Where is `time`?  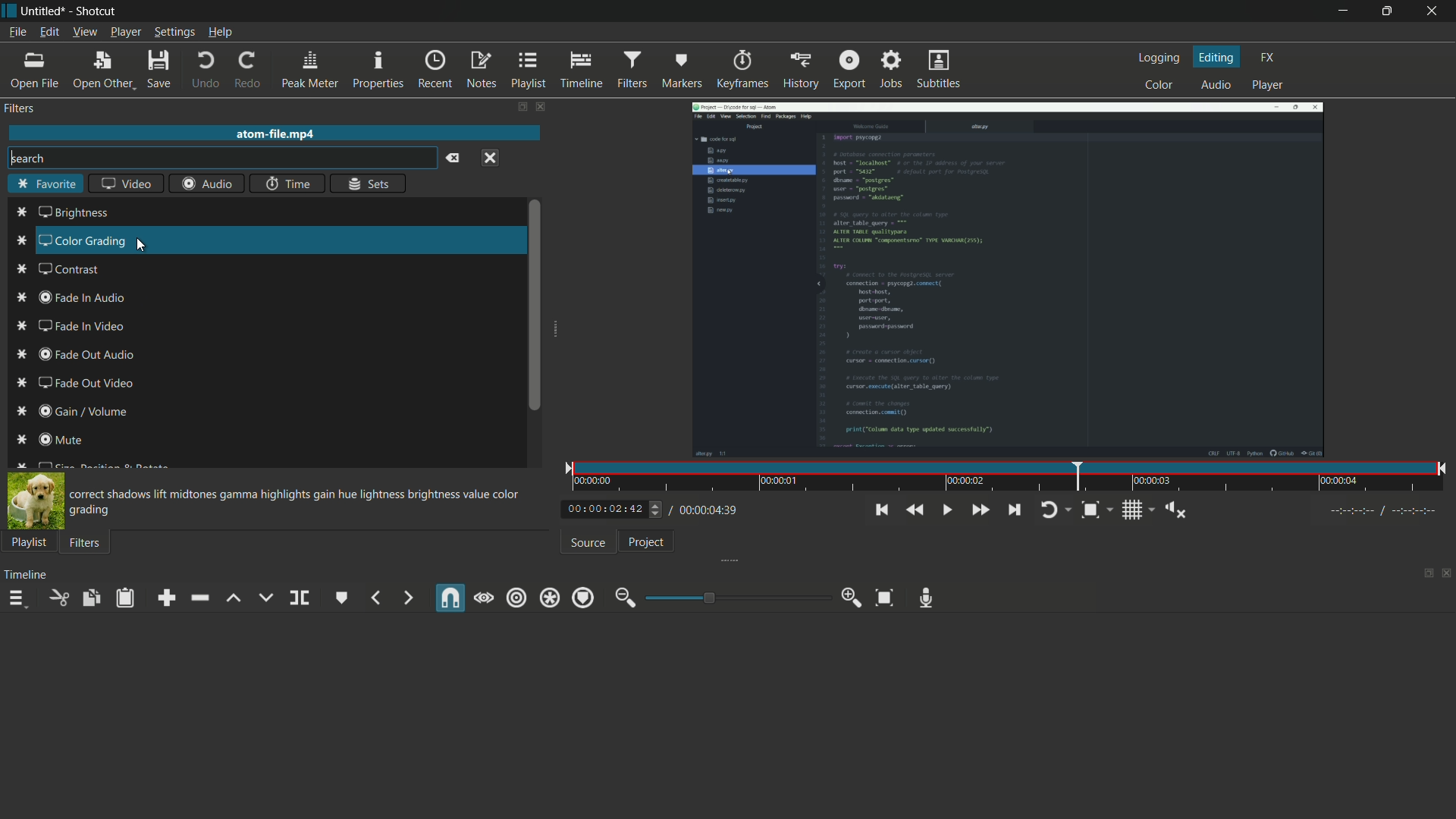
time is located at coordinates (285, 185).